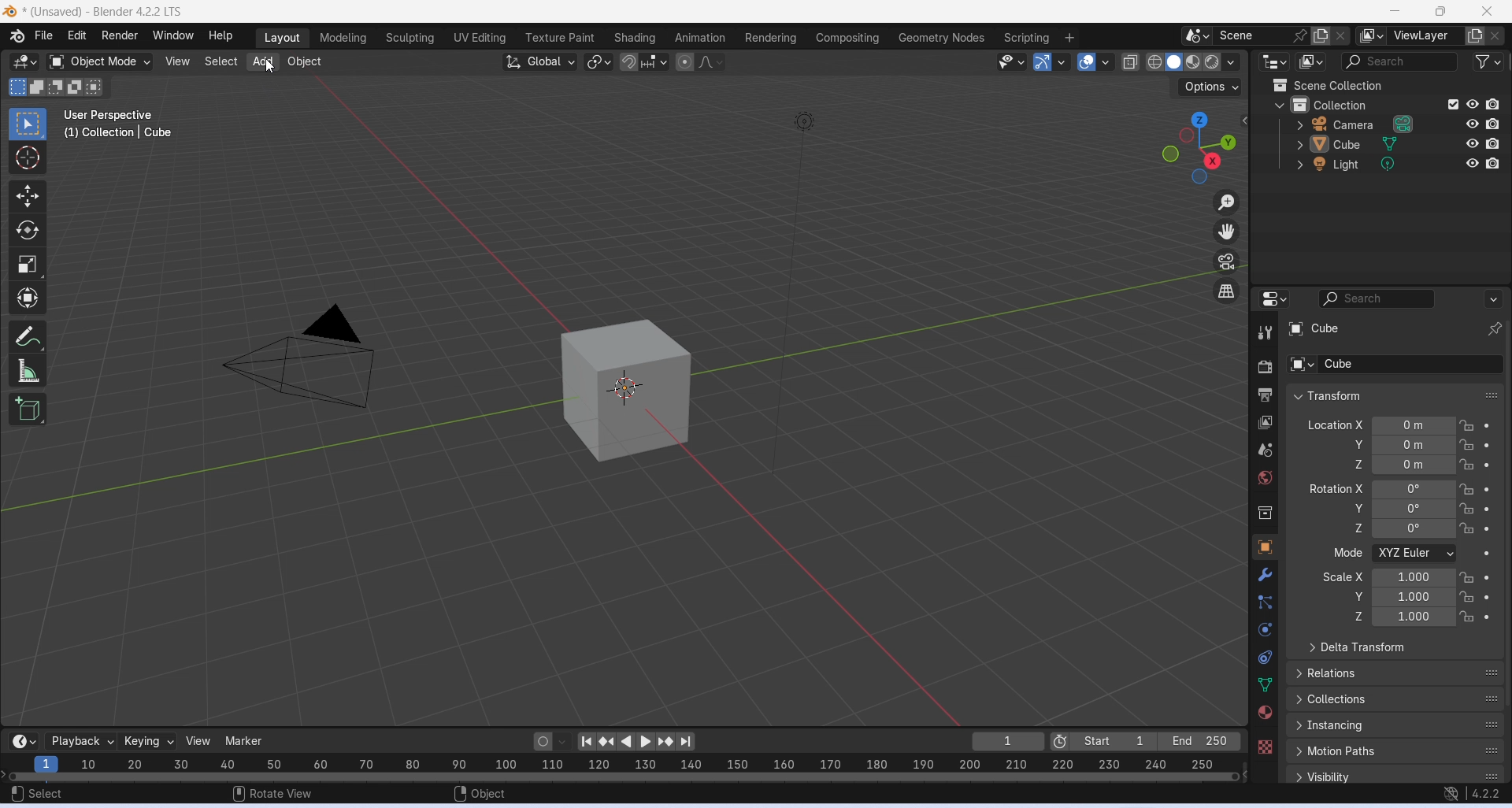 This screenshot has width=1512, height=808. What do you see at coordinates (1265, 658) in the screenshot?
I see `constraints` at bounding box center [1265, 658].